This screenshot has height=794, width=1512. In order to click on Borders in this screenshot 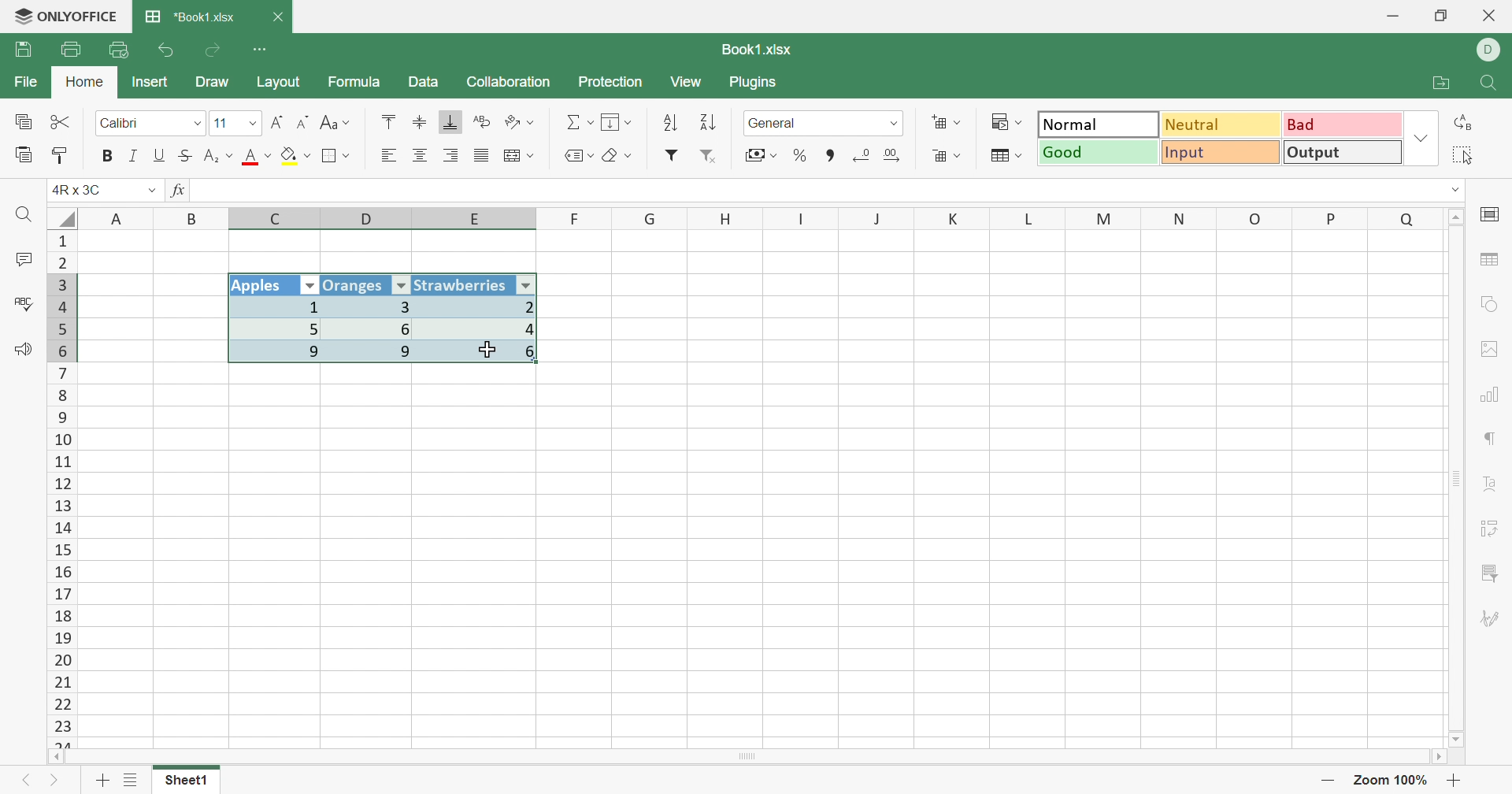, I will do `click(336, 156)`.